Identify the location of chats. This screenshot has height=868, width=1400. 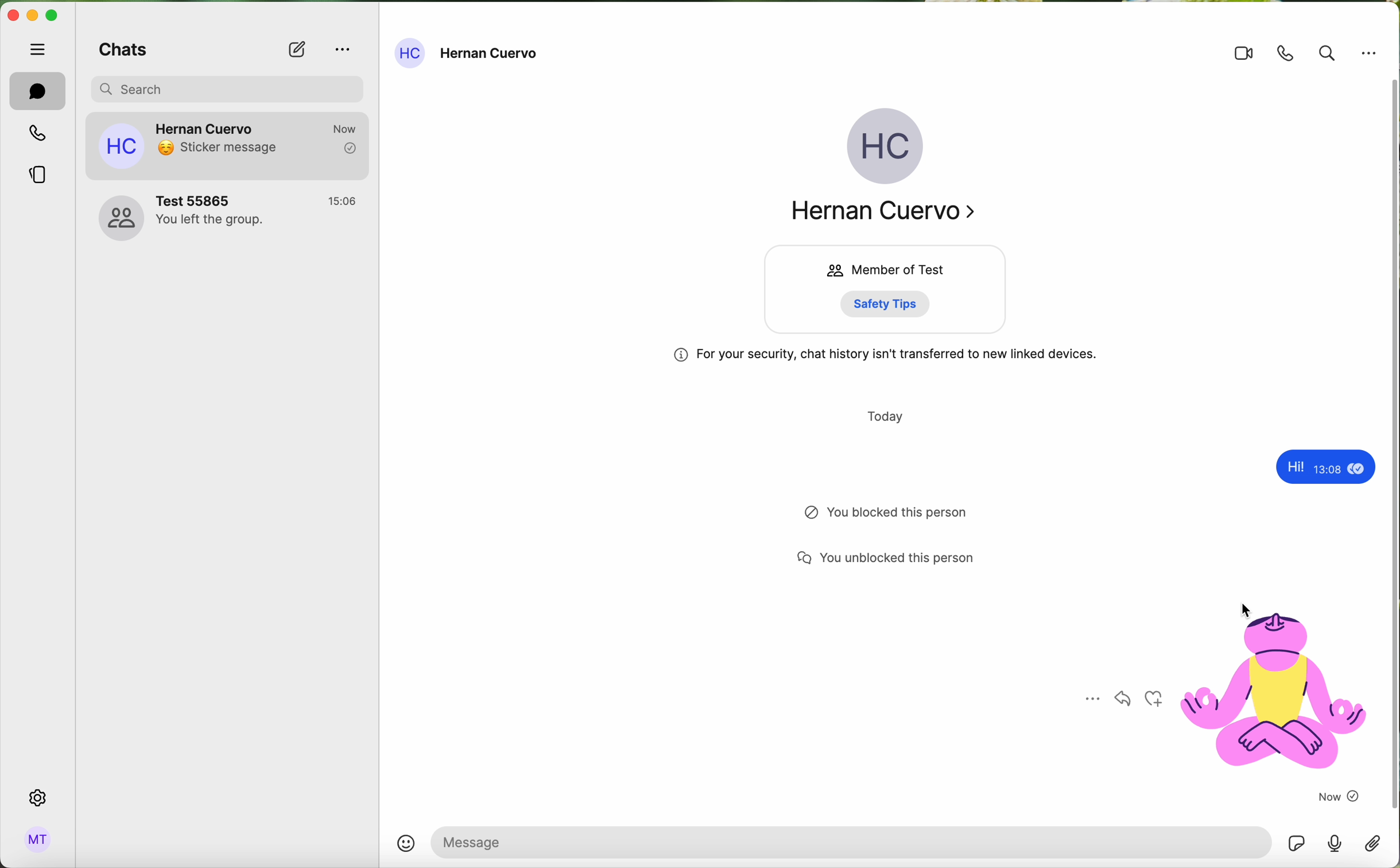
(37, 91).